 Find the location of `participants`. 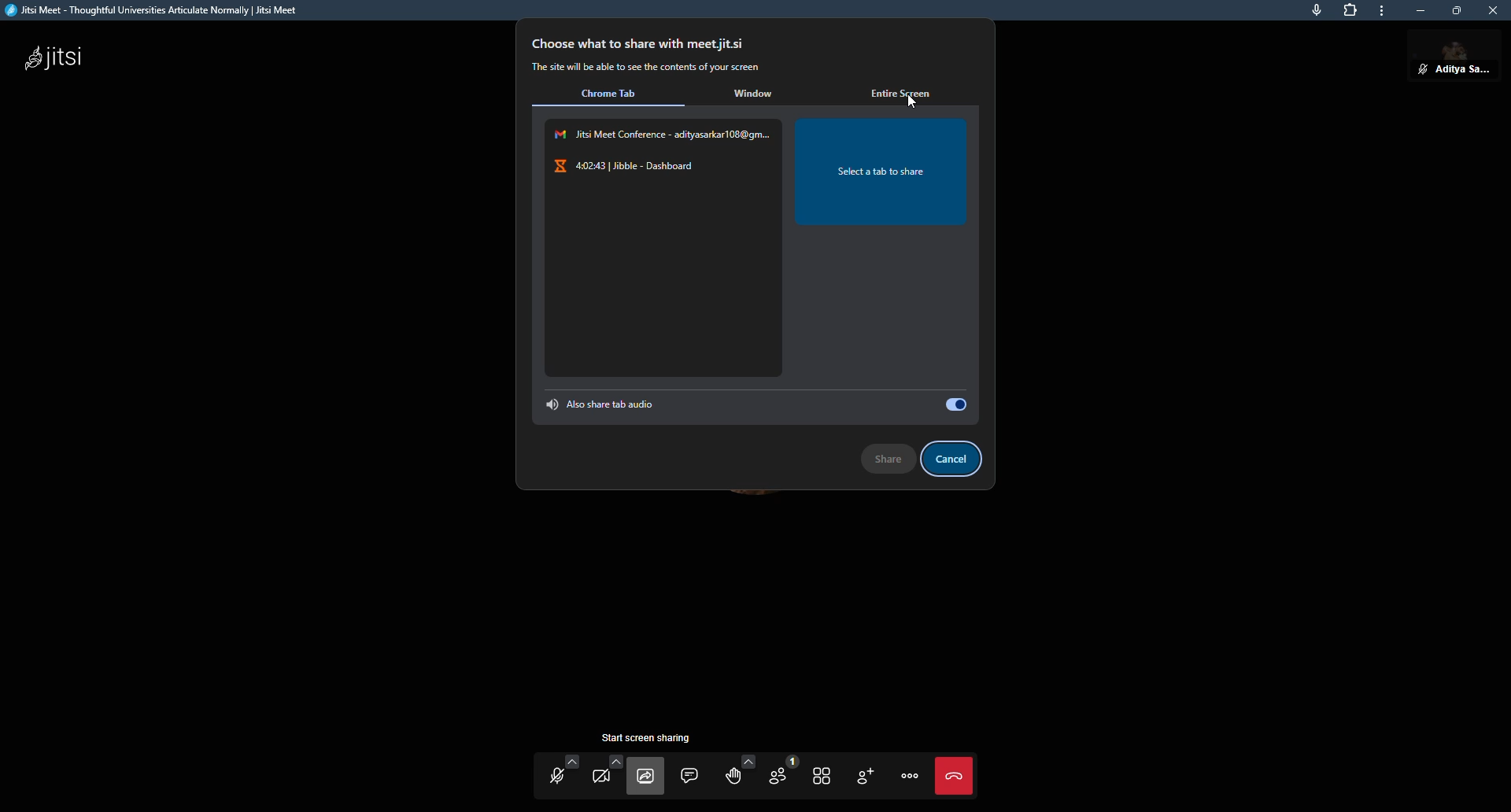

participants is located at coordinates (781, 775).